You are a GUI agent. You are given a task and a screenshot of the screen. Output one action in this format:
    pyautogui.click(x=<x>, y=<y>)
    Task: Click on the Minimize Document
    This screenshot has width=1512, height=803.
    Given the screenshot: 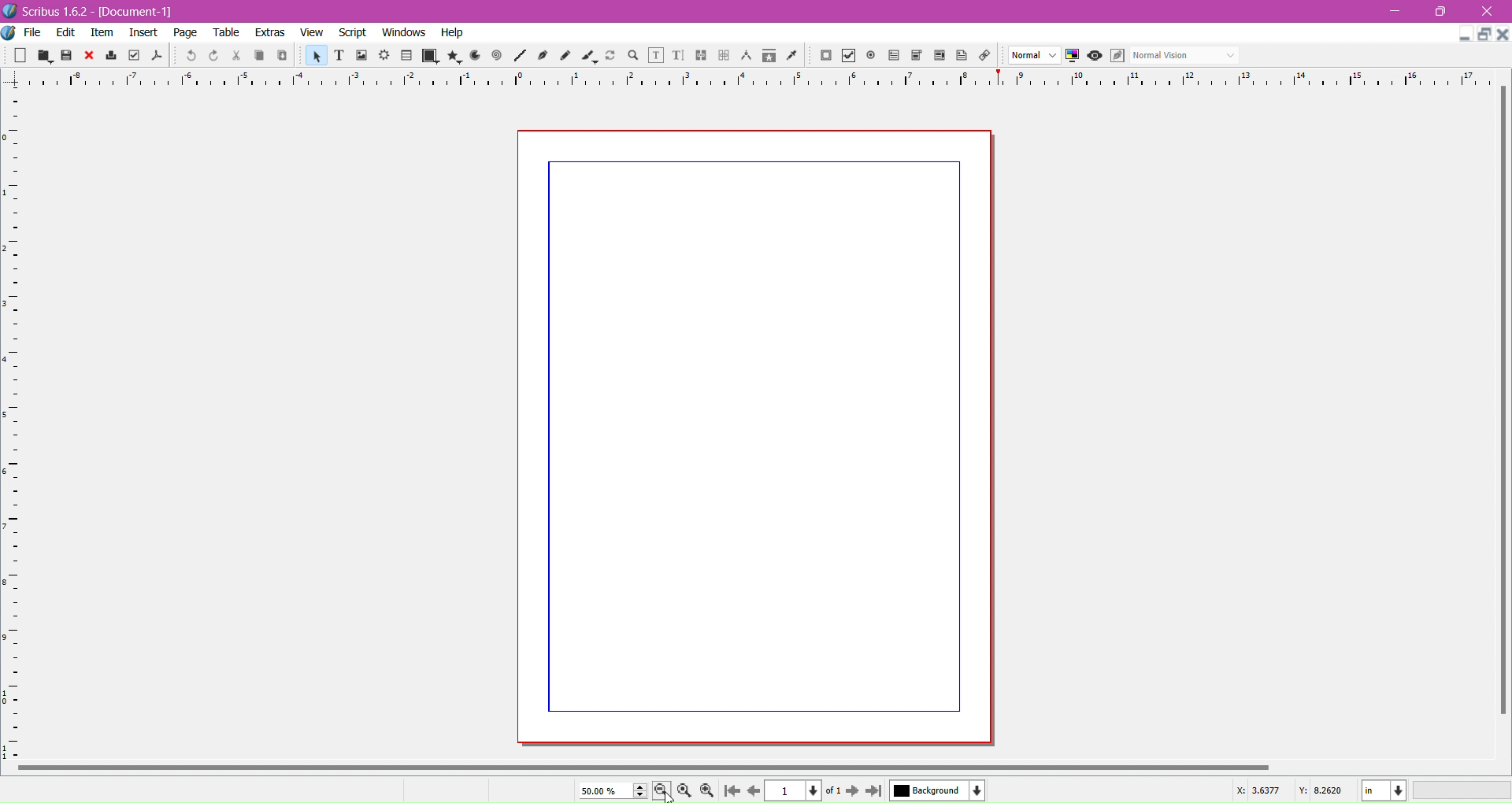 What is the action you would take?
    pyautogui.click(x=1464, y=34)
    